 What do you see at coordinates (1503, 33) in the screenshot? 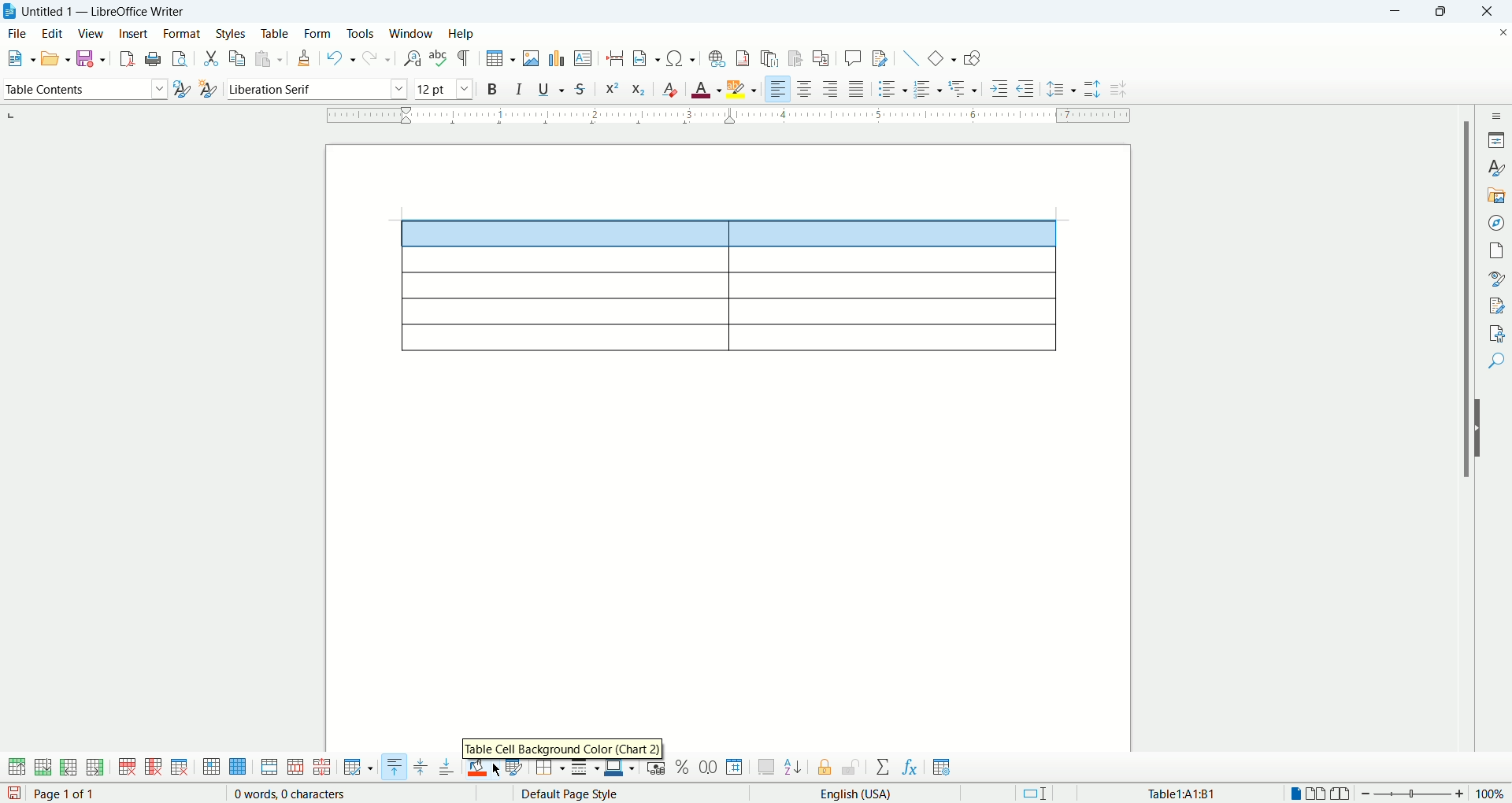
I see `close document` at bounding box center [1503, 33].